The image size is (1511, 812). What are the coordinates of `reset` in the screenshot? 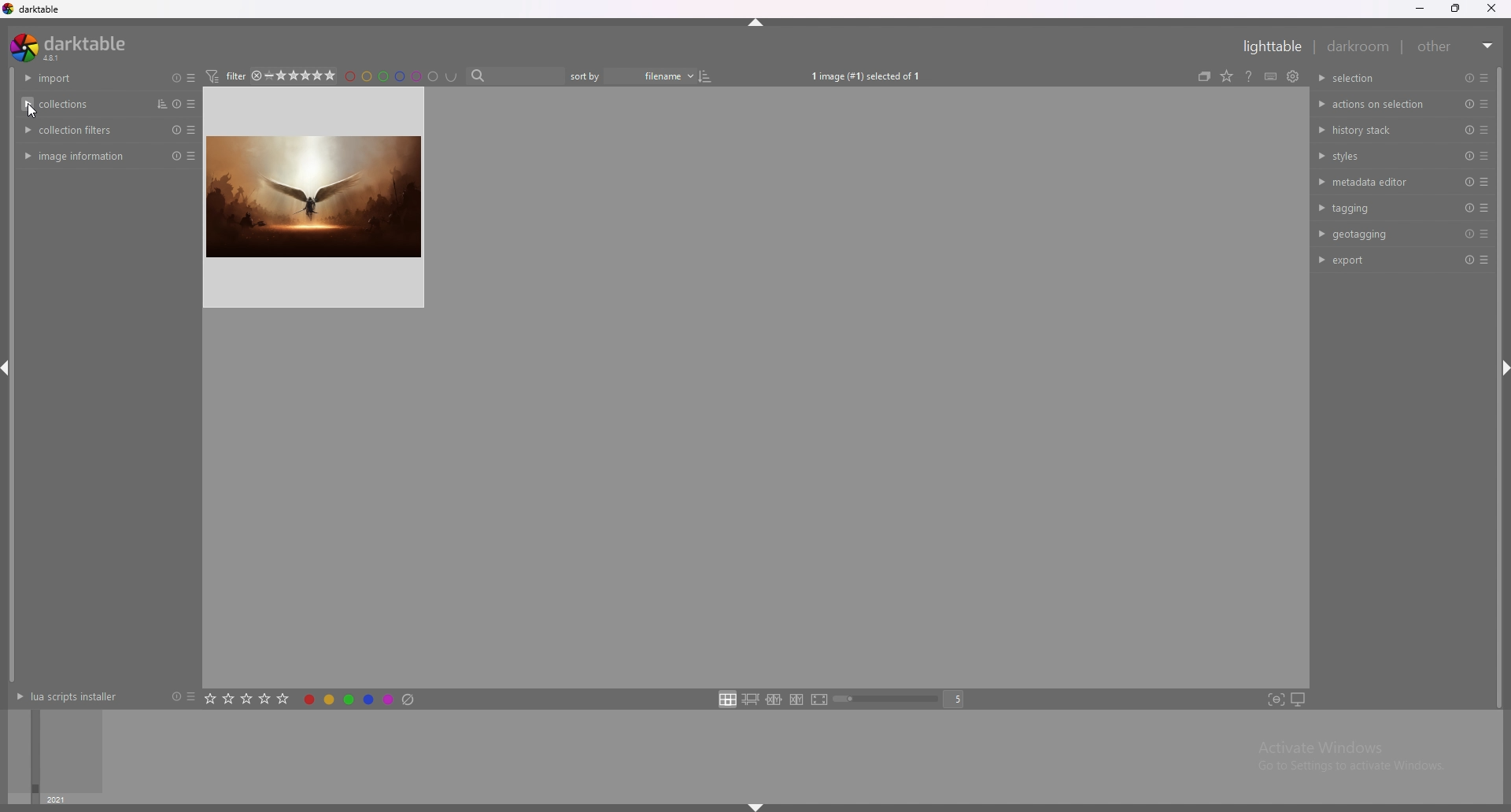 It's located at (1467, 208).